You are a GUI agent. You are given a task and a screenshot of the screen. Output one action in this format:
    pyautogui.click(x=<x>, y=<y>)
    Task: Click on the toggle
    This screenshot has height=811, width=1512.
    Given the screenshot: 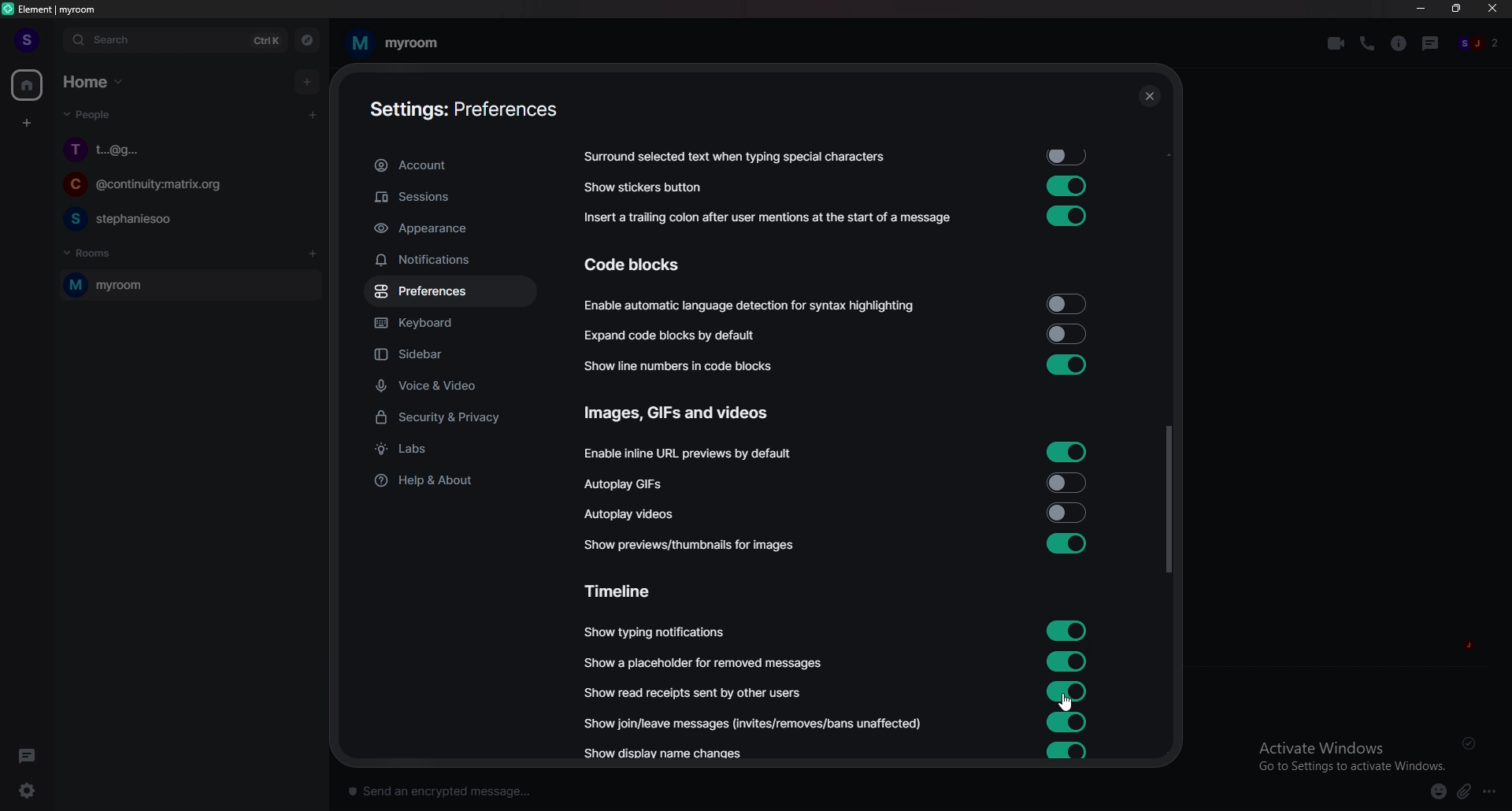 What is the action you would take?
    pyautogui.click(x=1071, y=157)
    